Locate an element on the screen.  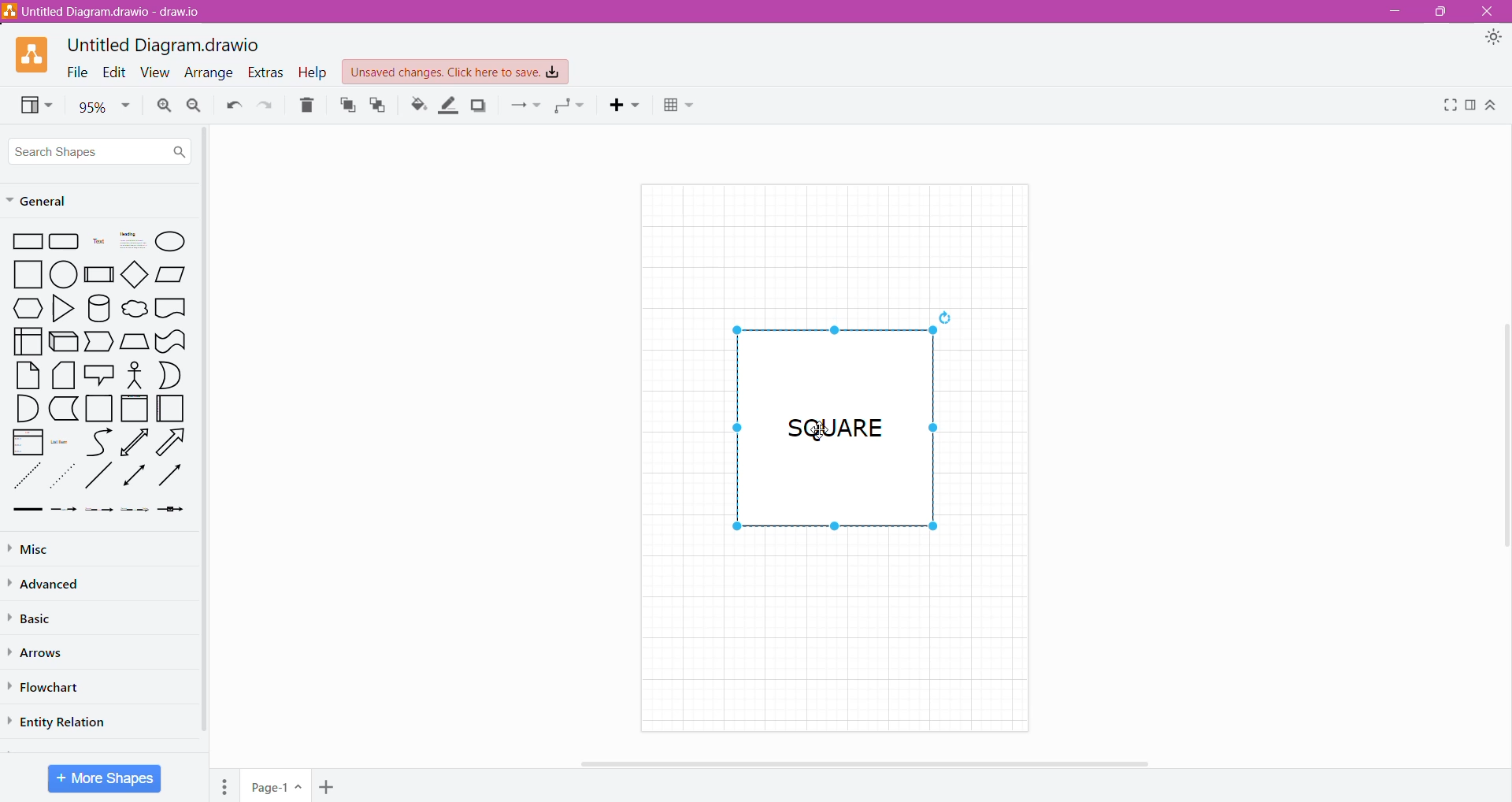
To Back is located at coordinates (379, 105).